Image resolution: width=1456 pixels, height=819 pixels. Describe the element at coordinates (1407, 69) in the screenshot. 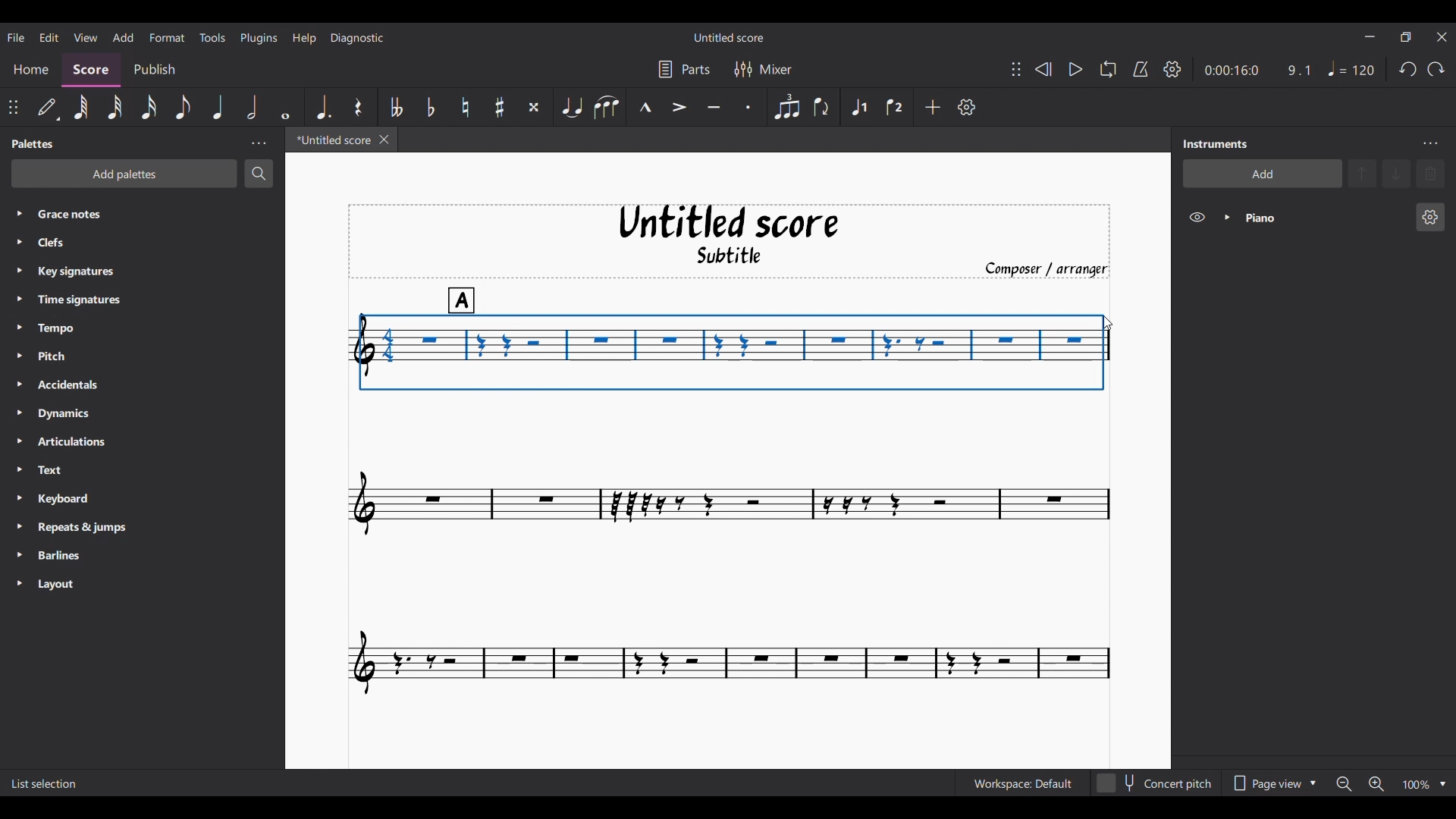

I see `Undo` at that location.